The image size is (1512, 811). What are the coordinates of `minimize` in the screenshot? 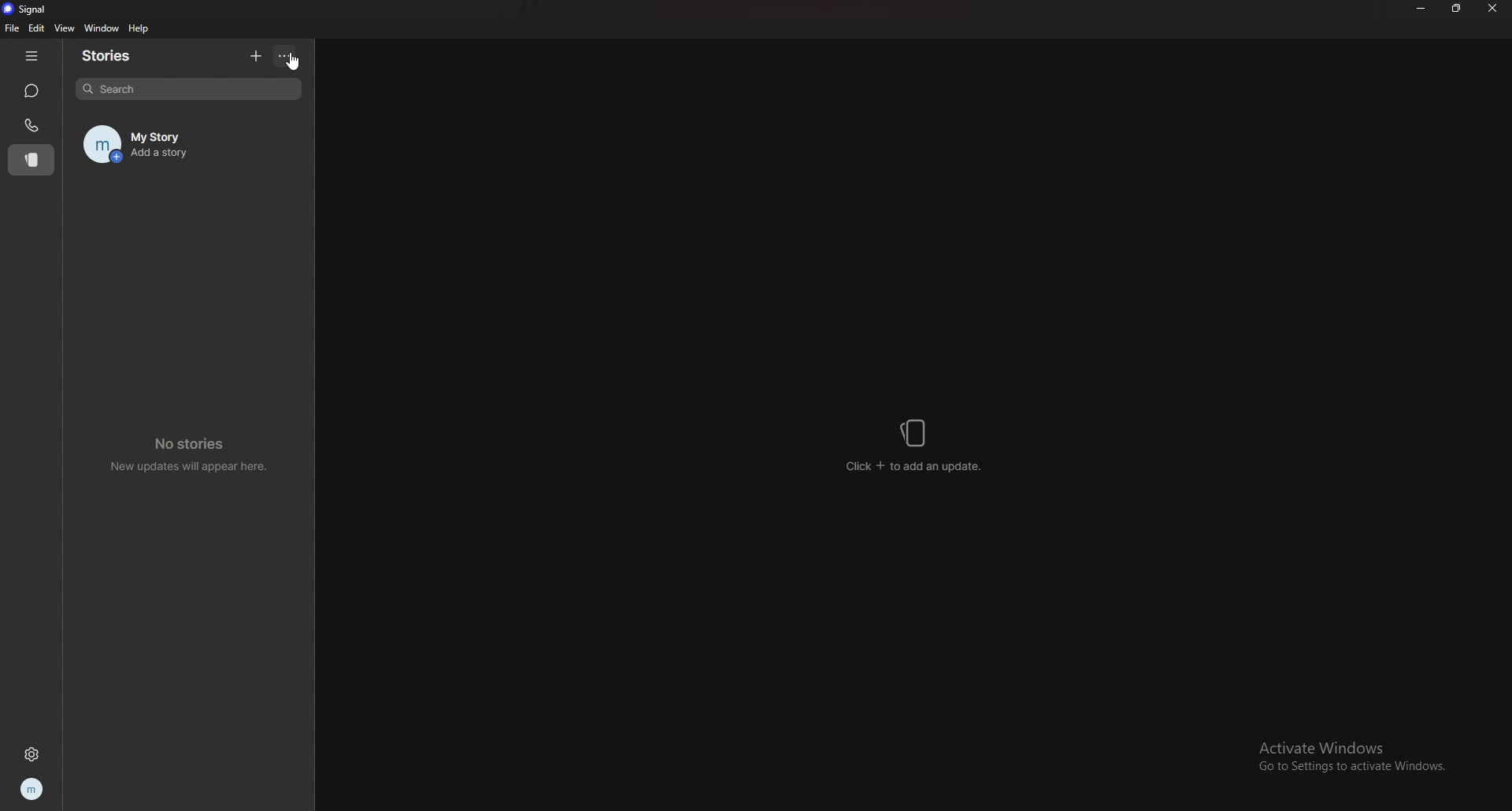 It's located at (1421, 9).